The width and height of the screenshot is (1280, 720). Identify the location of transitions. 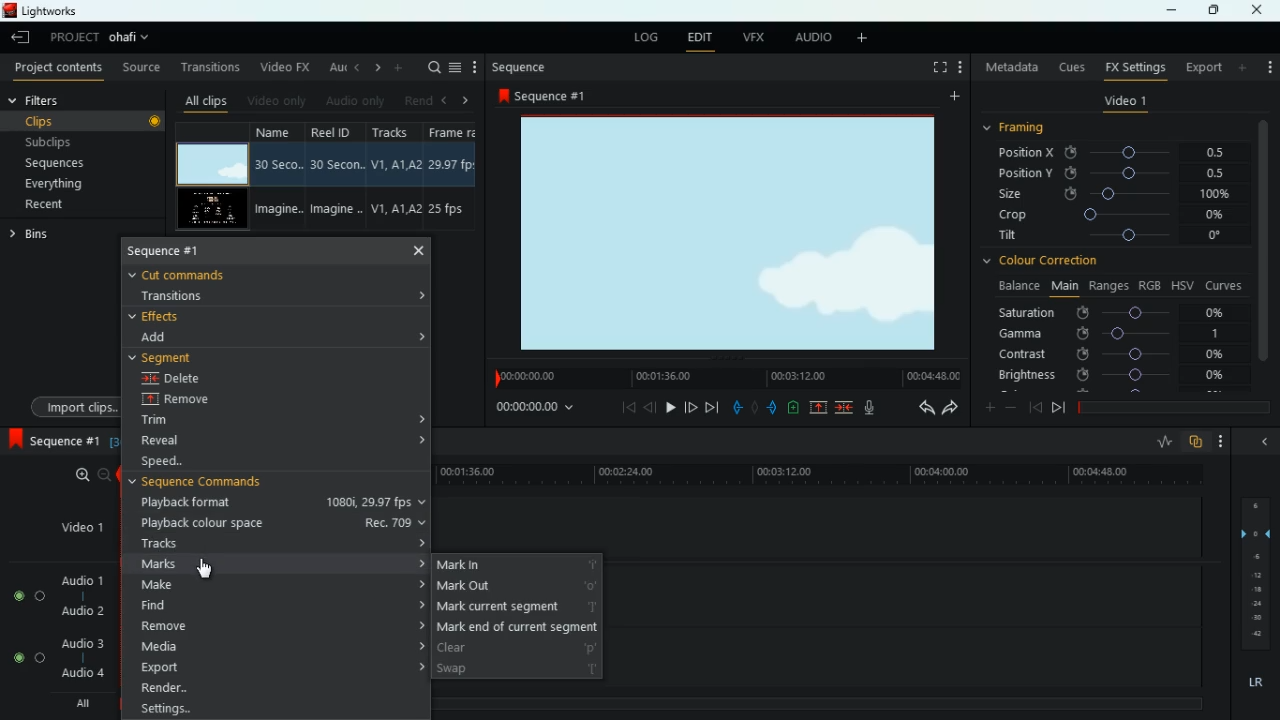
(184, 295).